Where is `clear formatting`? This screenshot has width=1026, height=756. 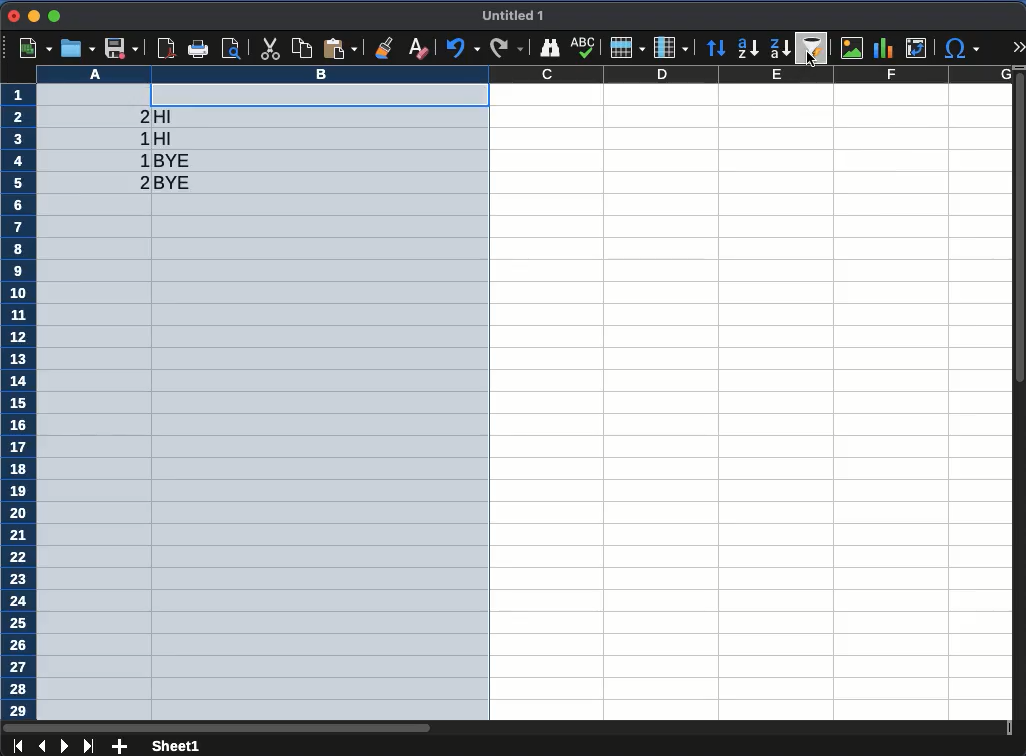 clear formatting is located at coordinates (417, 49).